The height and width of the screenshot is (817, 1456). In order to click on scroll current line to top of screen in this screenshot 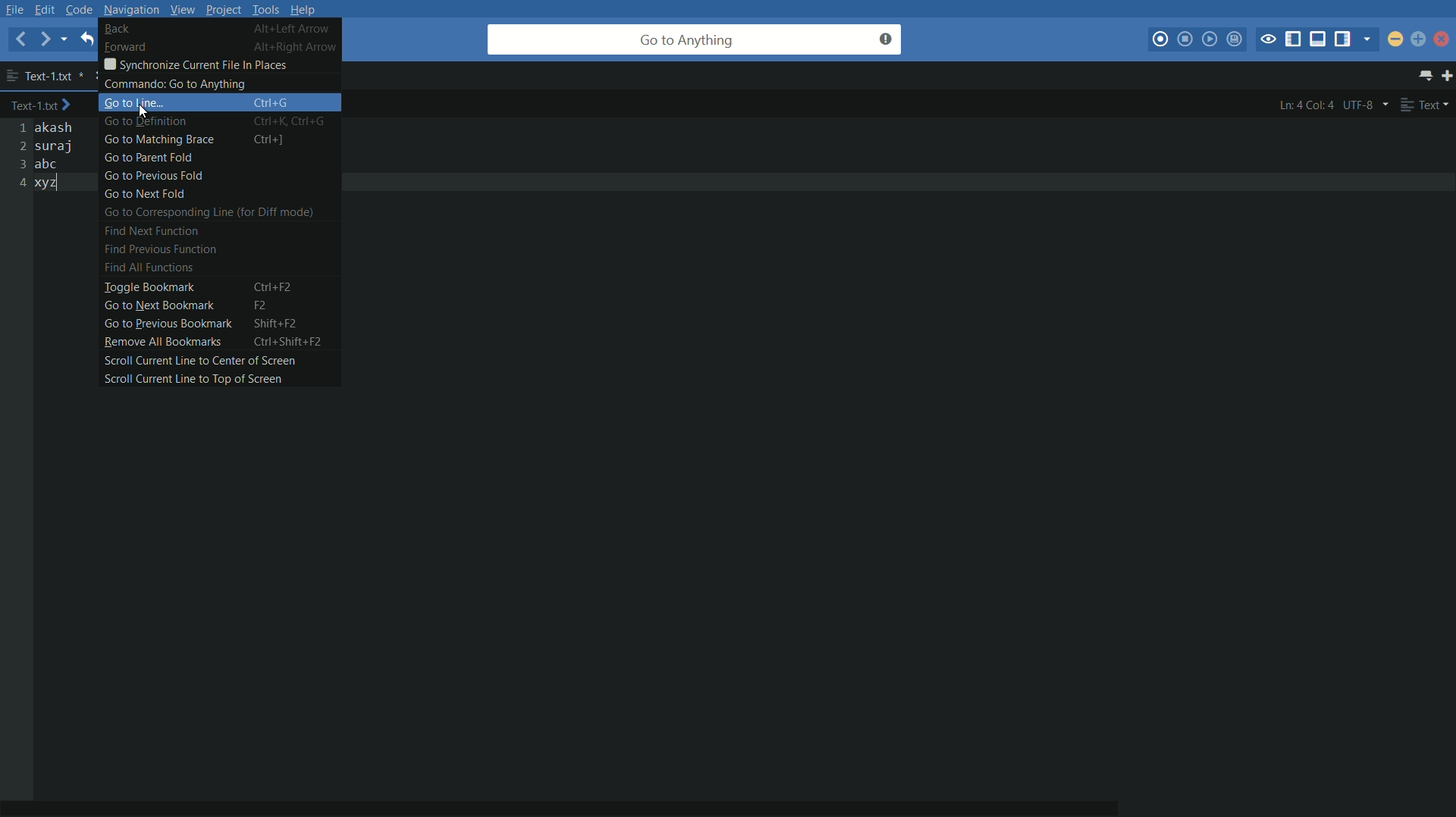, I will do `click(190, 379)`.